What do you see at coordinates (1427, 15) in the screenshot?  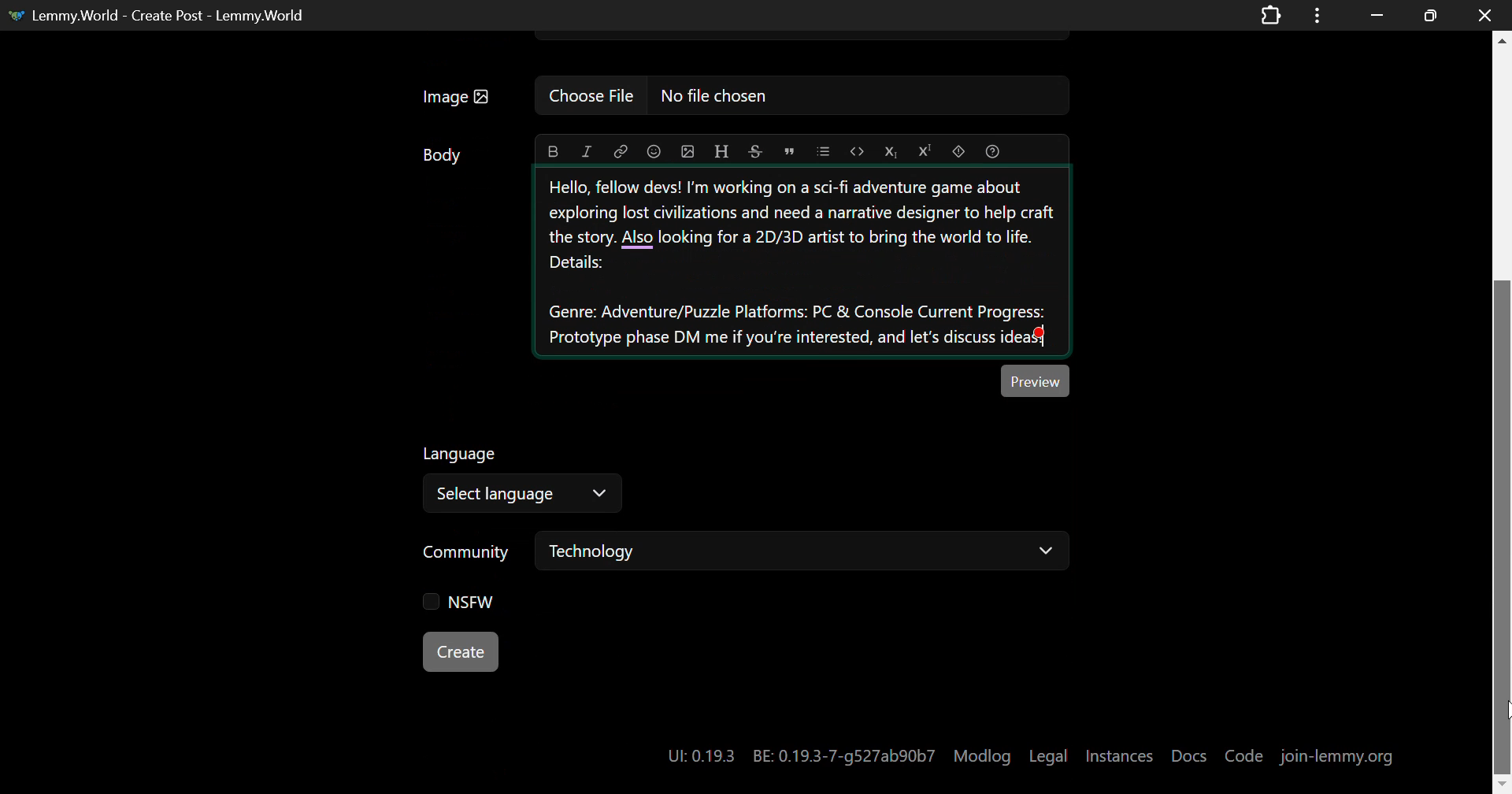 I see `Minimize Window` at bounding box center [1427, 15].